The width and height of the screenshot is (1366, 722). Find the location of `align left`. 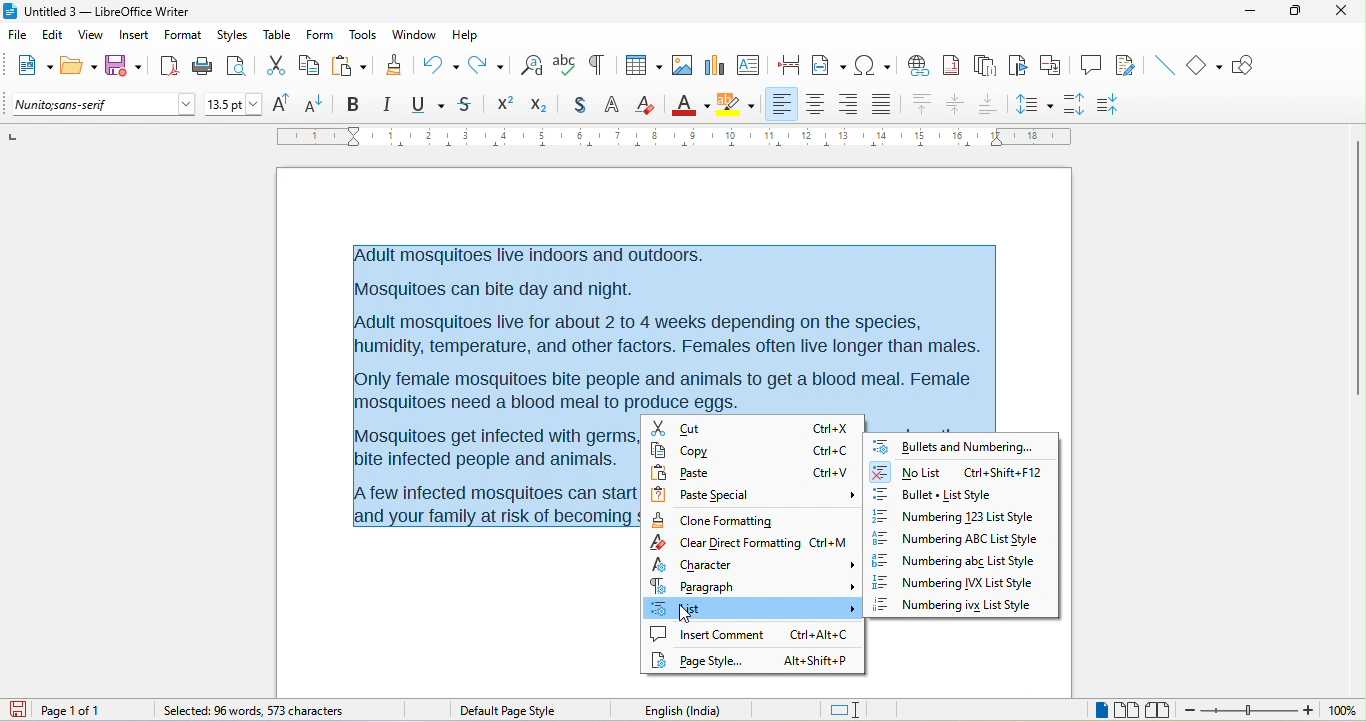

align left is located at coordinates (783, 104).